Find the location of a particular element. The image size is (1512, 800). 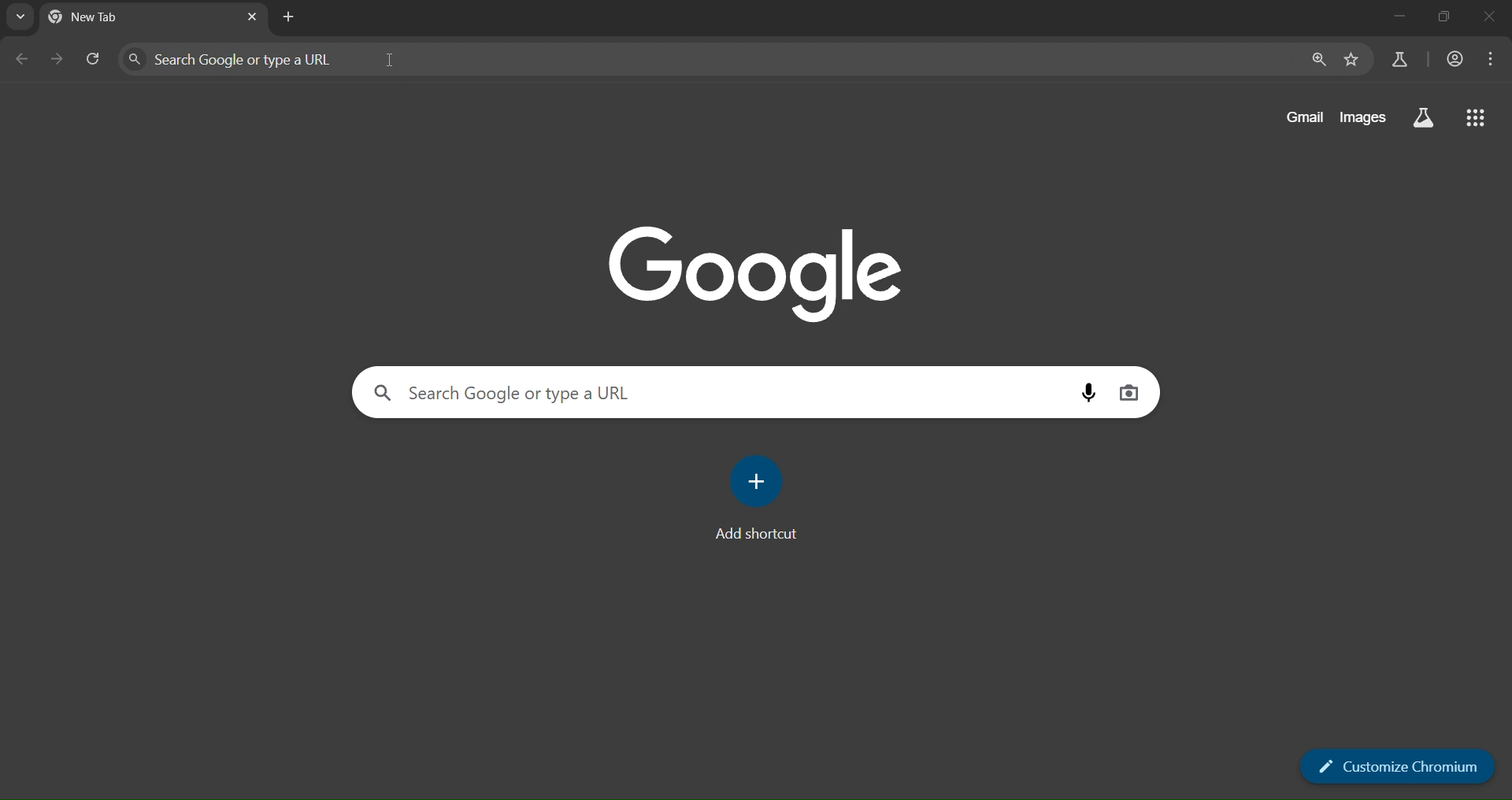

minimize is located at coordinates (1392, 17).